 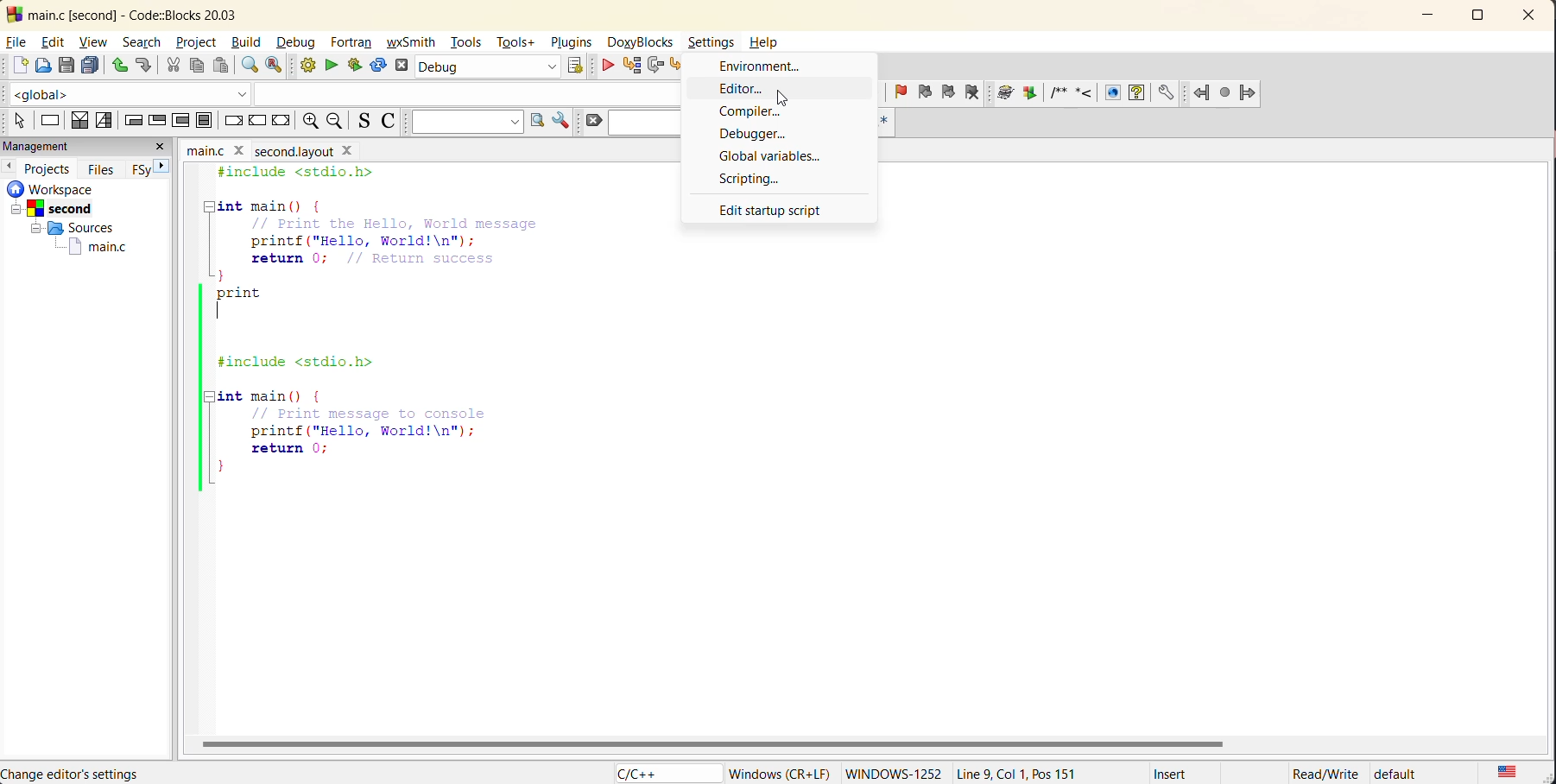 I want to click on project, so click(x=196, y=43).